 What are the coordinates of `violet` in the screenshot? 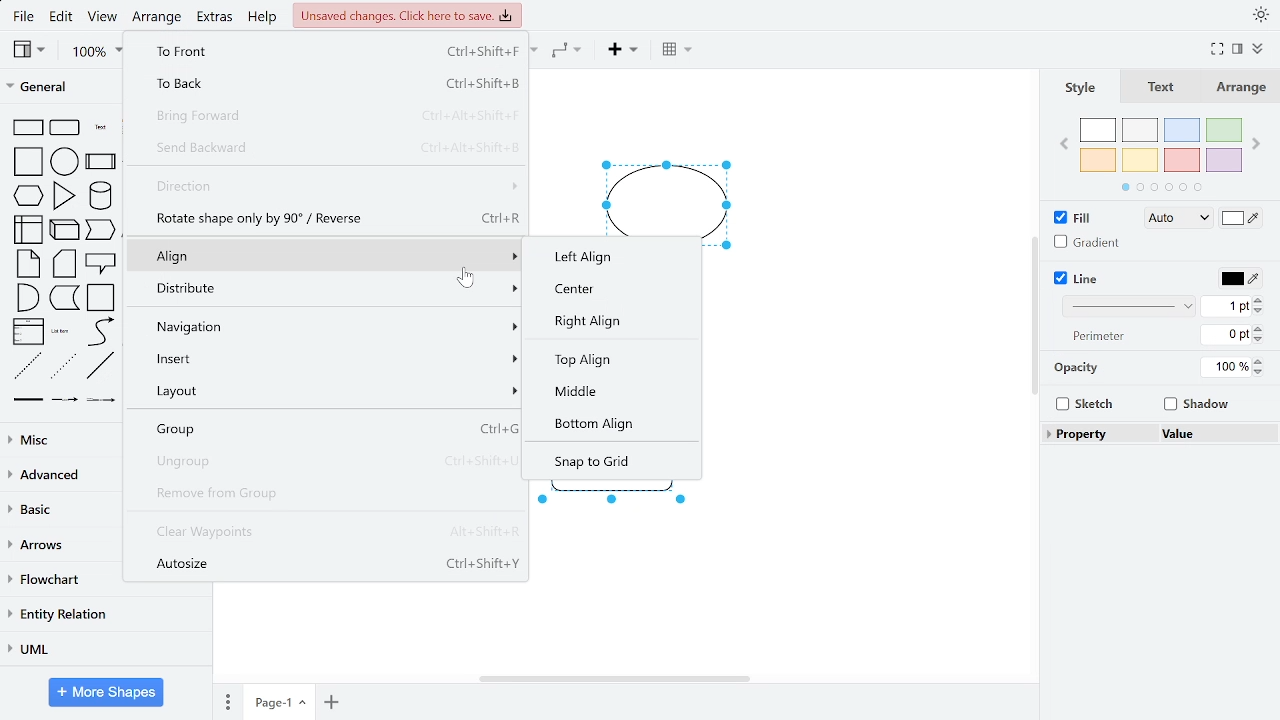 It's located at (1223, 160).